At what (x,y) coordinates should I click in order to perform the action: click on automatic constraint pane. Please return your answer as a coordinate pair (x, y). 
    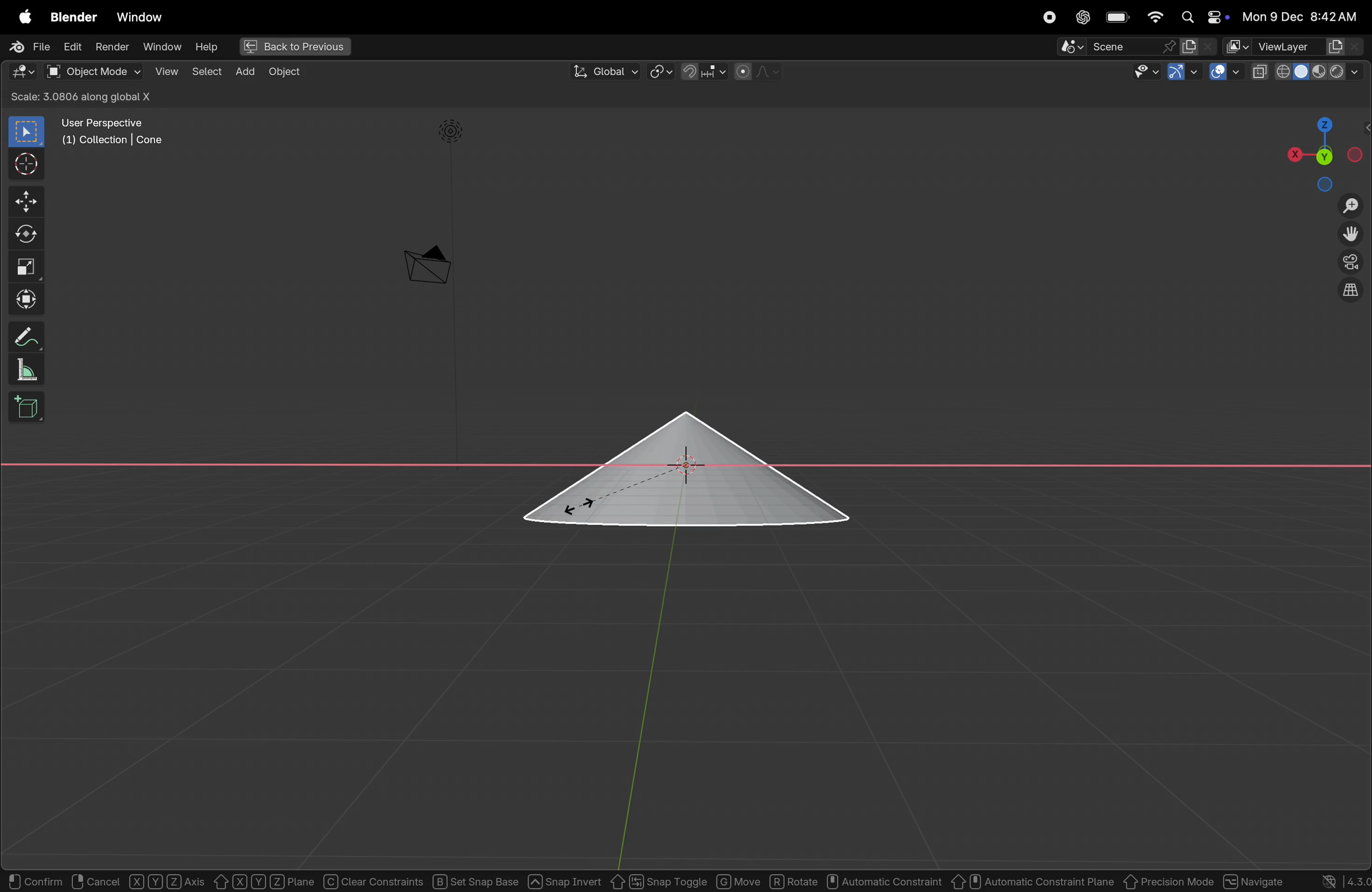
    Looking at the image, I should click on (1033, 881).